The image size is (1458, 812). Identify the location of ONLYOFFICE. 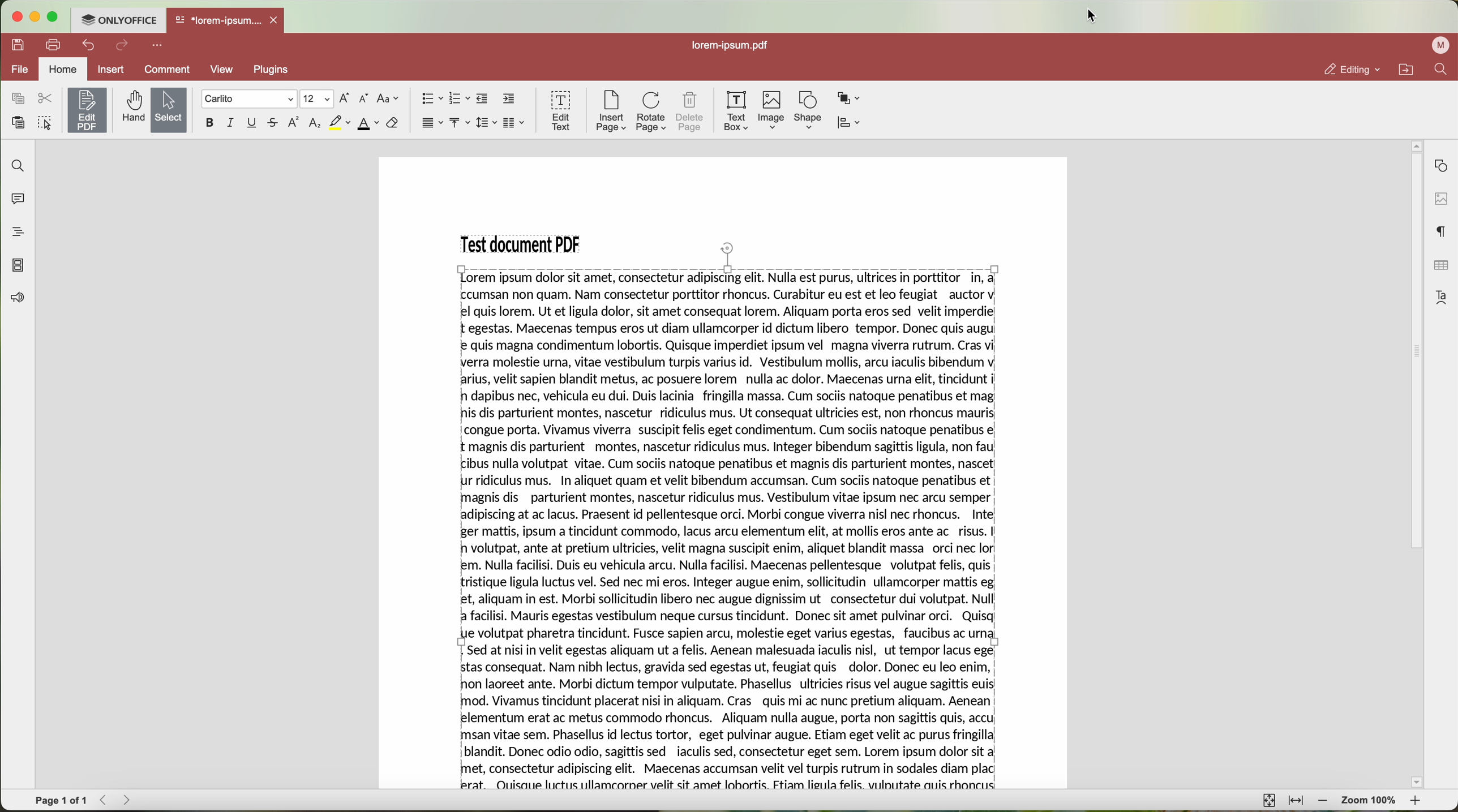
(120, 21).